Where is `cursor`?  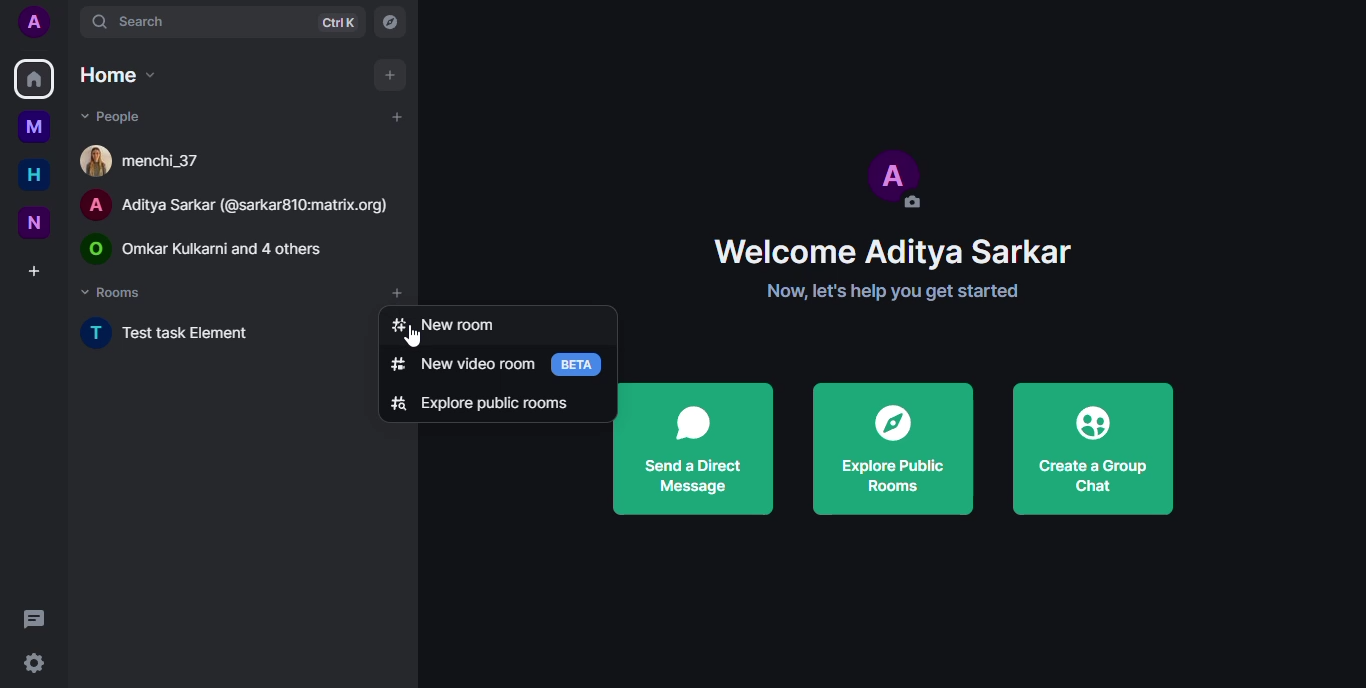 cursor is located at coordinates (423, 335).